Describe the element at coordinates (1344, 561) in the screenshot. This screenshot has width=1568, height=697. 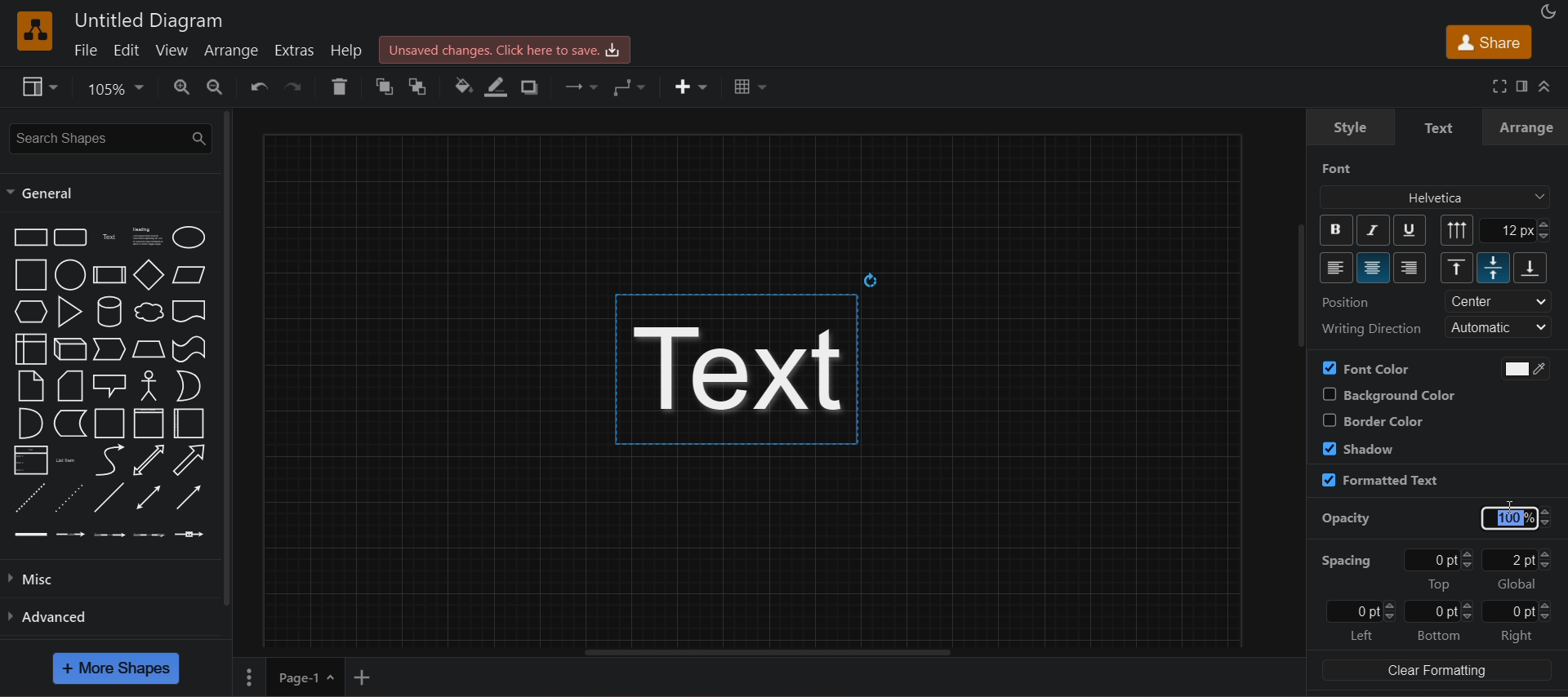
I see `spacing` at that location.